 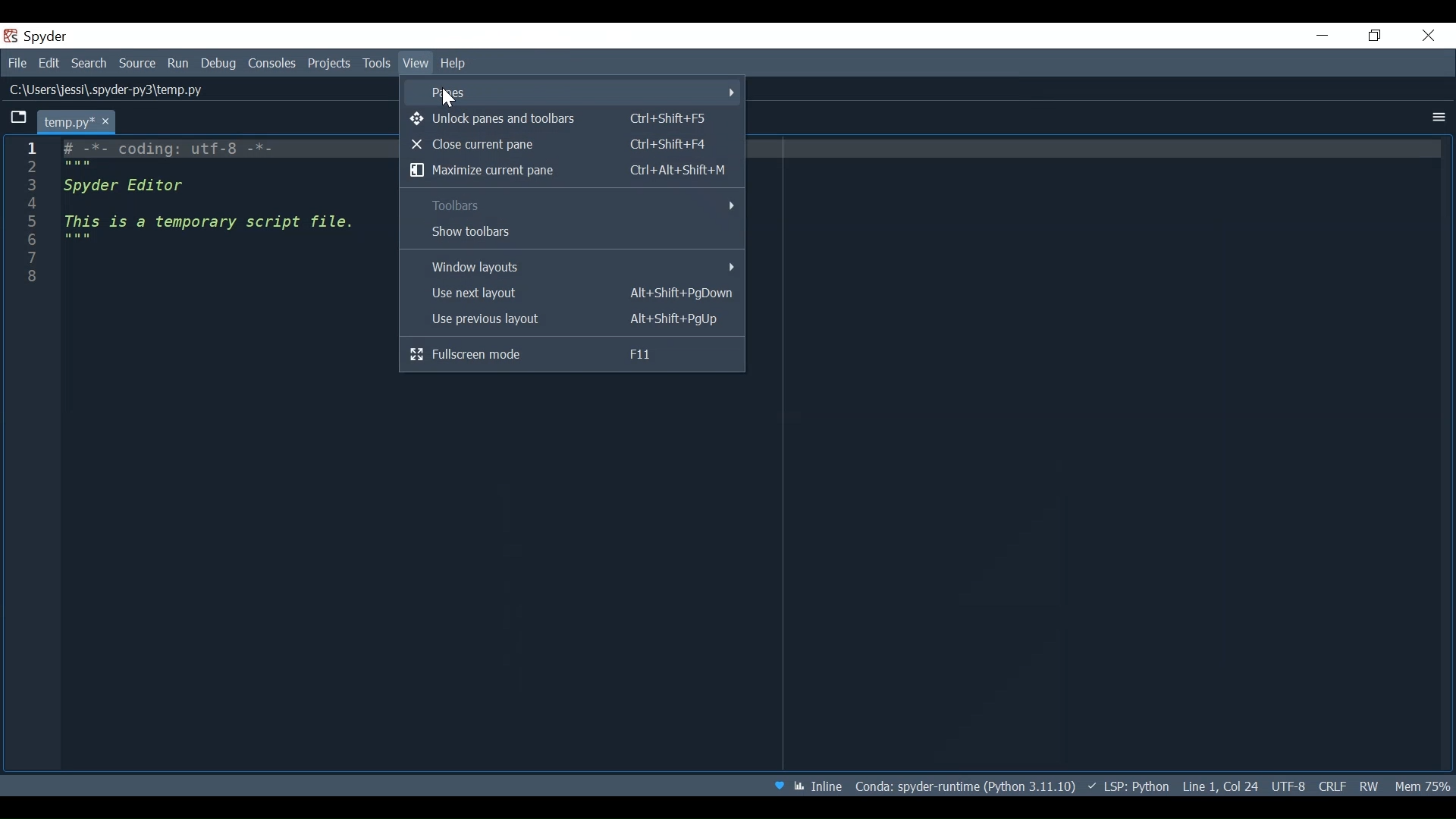 What do you see at coordinates (570, 294) in the screenshot?
I see `Use next layout` at bounding box center [570, 294].